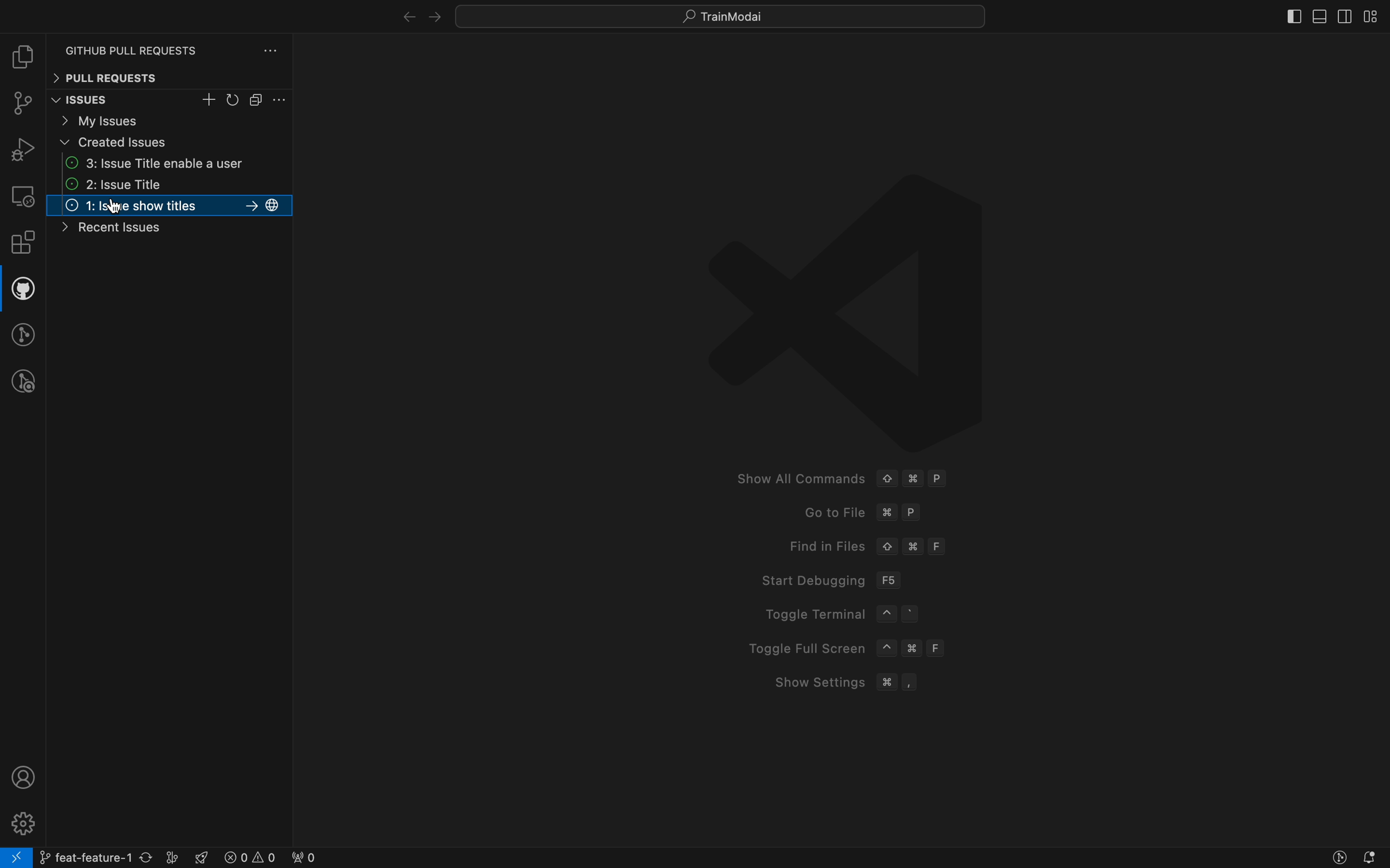  What do you see at coordinates (22, 196) in the screenshot?
I see `remote explorer ` at bounding box center [22, 196].